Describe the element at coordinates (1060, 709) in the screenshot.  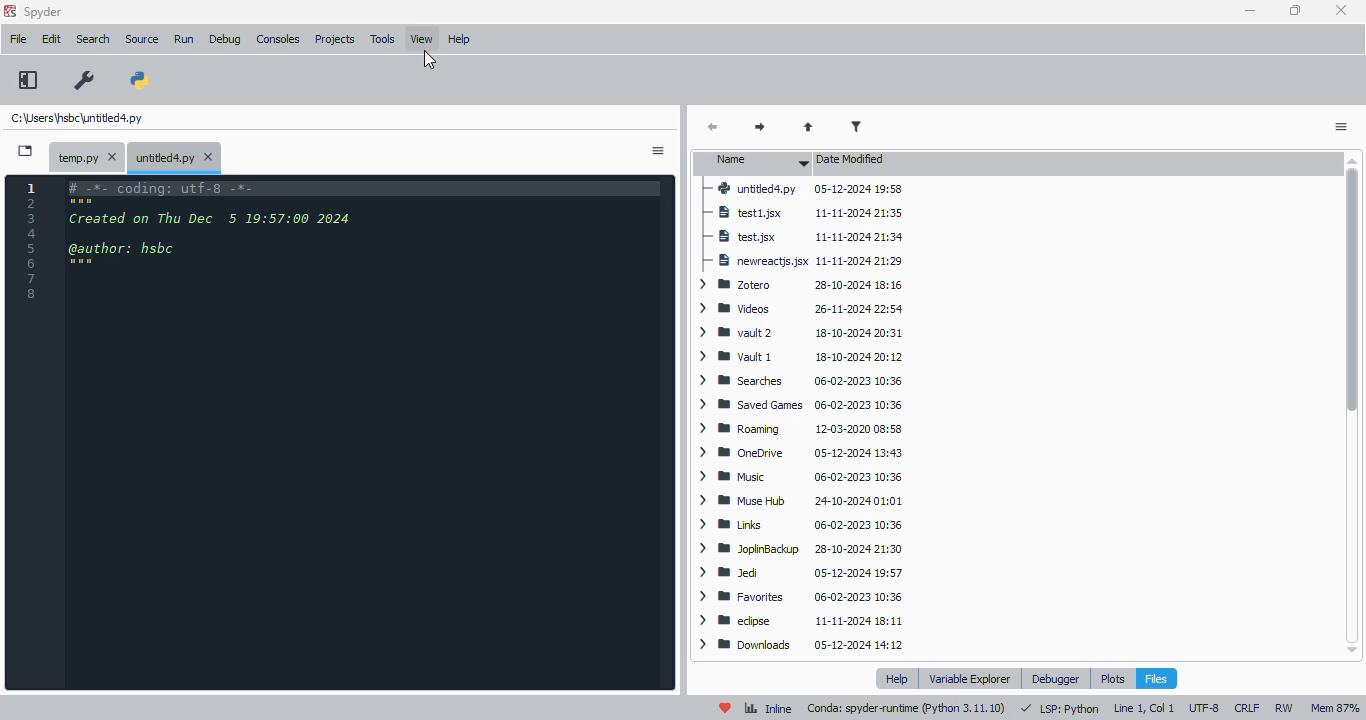
I see `LSP: python` at that location.